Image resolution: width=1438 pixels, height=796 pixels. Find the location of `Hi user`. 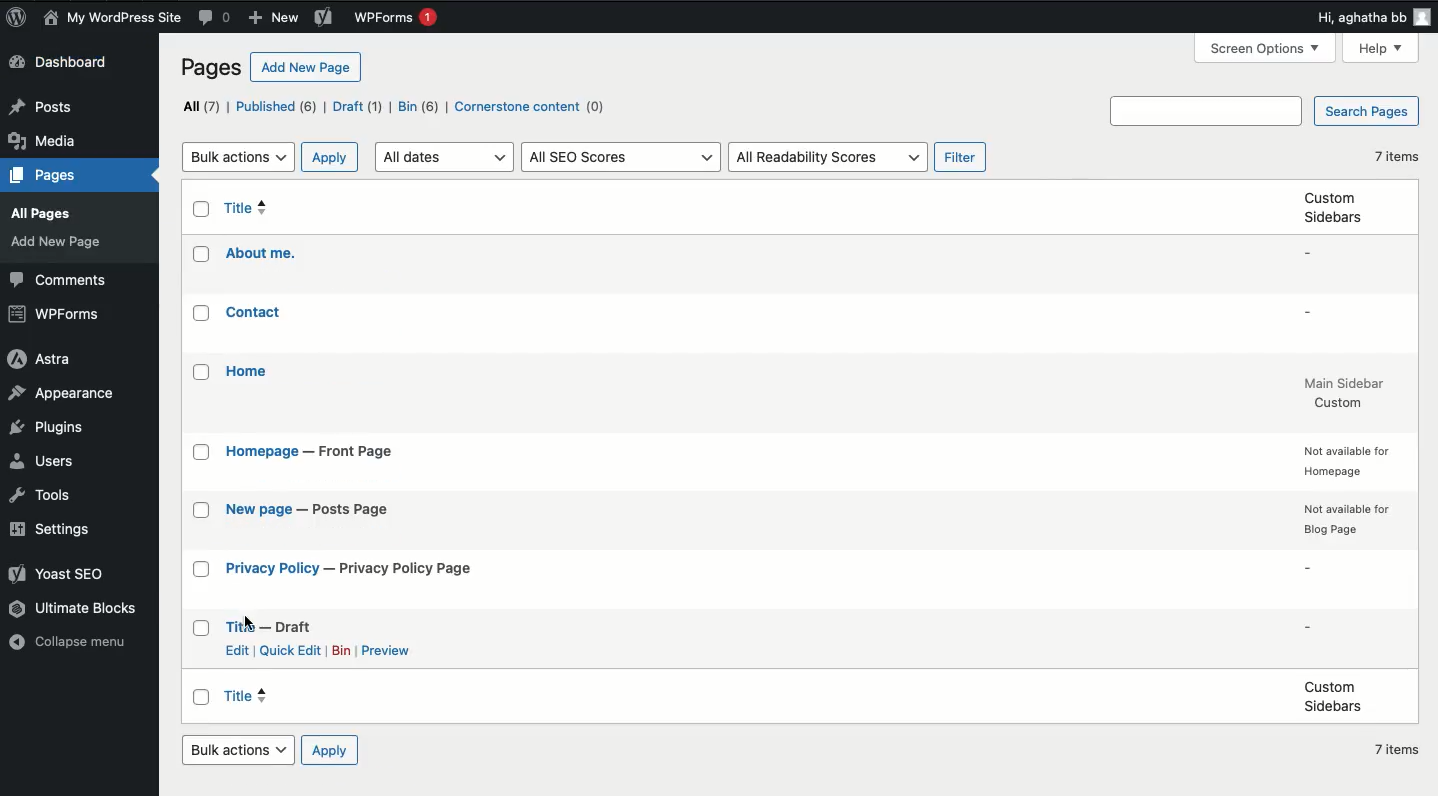

Hi user is located at coordinates (1374, 18).